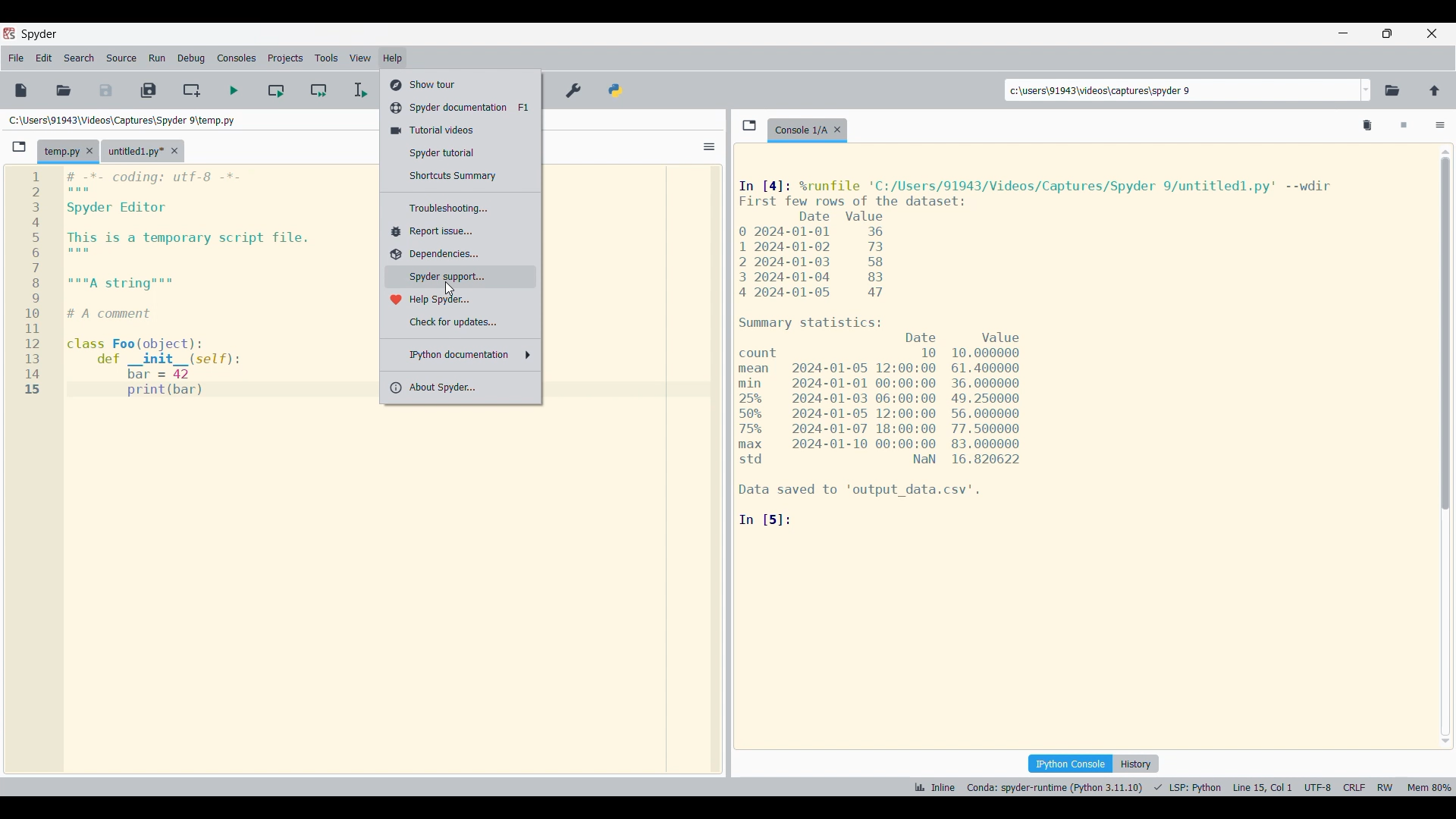 This screenshot has width=1456, height=819. I want to click on Browse tabs, so click(750, 125).